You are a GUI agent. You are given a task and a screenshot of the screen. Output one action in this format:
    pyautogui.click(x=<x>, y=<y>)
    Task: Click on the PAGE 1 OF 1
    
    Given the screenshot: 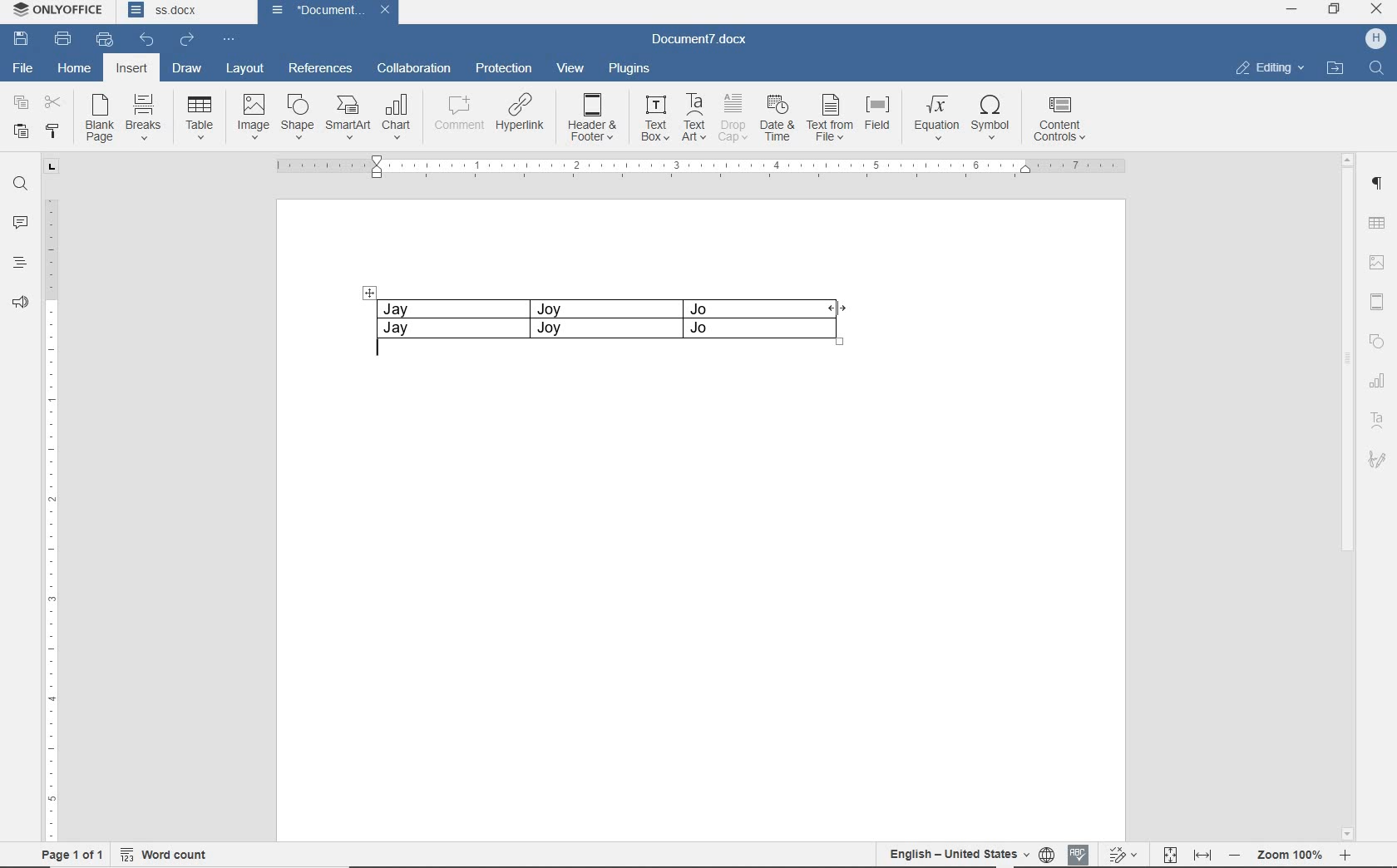 What is the action you would take?
    pyautogui.click(x=72, y=854)
    